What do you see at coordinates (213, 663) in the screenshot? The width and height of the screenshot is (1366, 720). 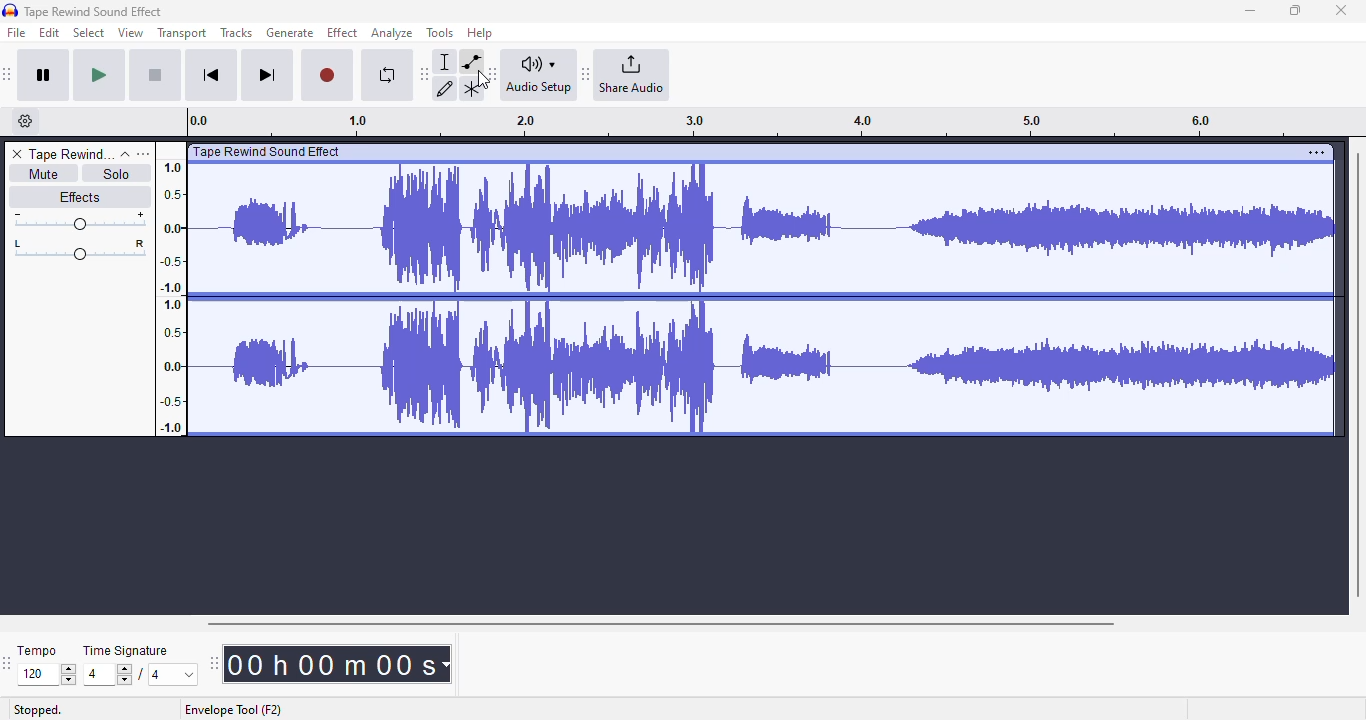 I see `Move audacity time toolbar` at bounding box center [213, 663].